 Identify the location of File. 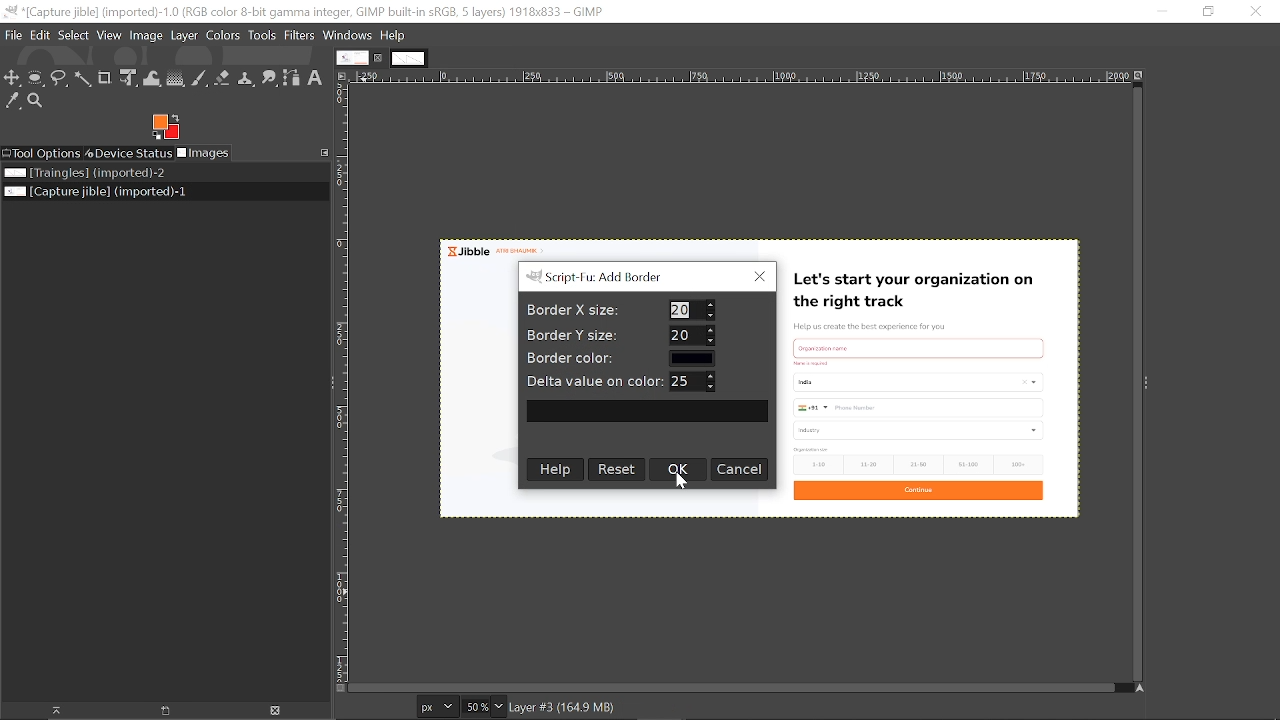
(14, 35).